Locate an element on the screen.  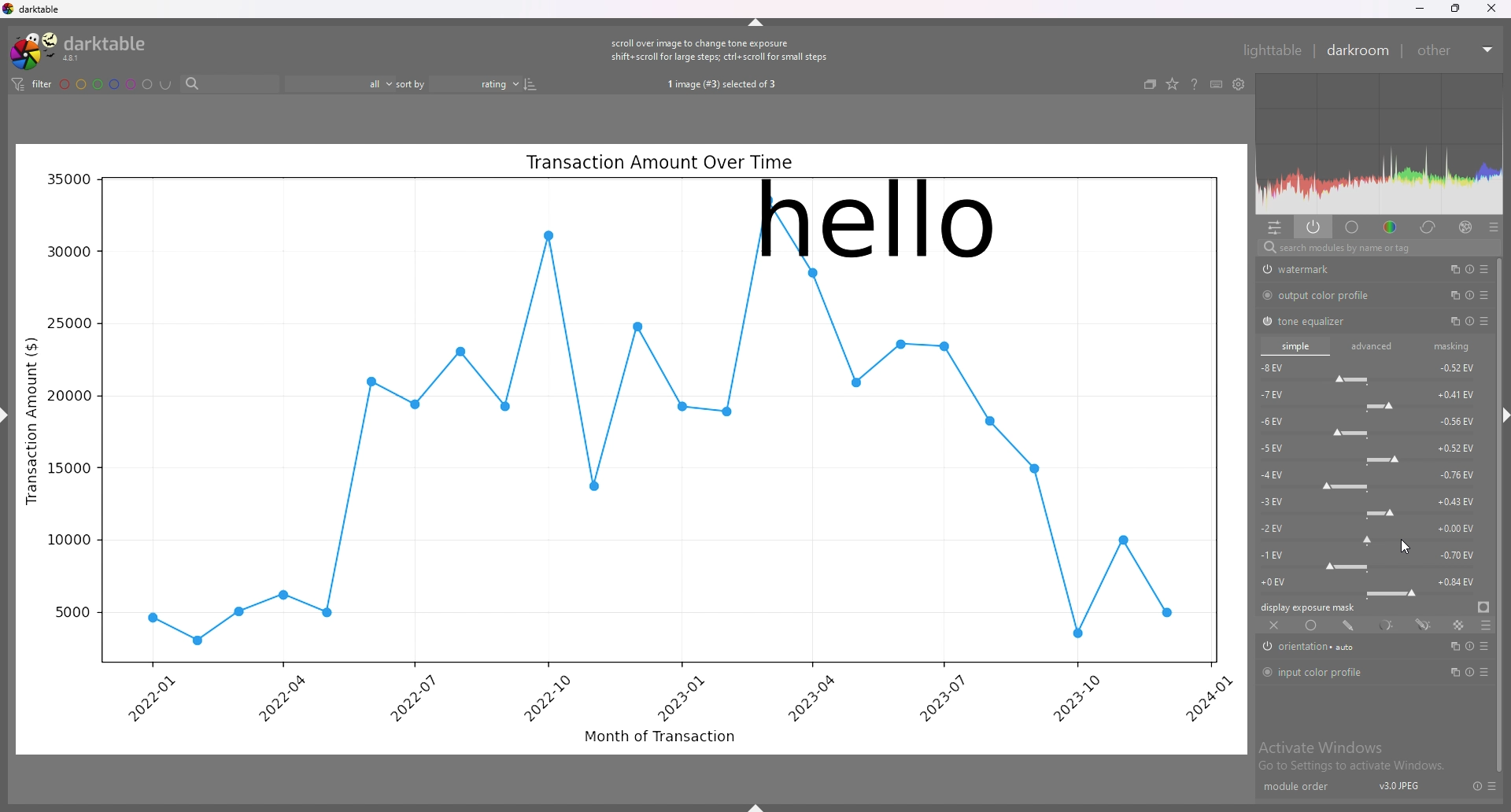
quick access panel is located at coordinates (1275, 228).